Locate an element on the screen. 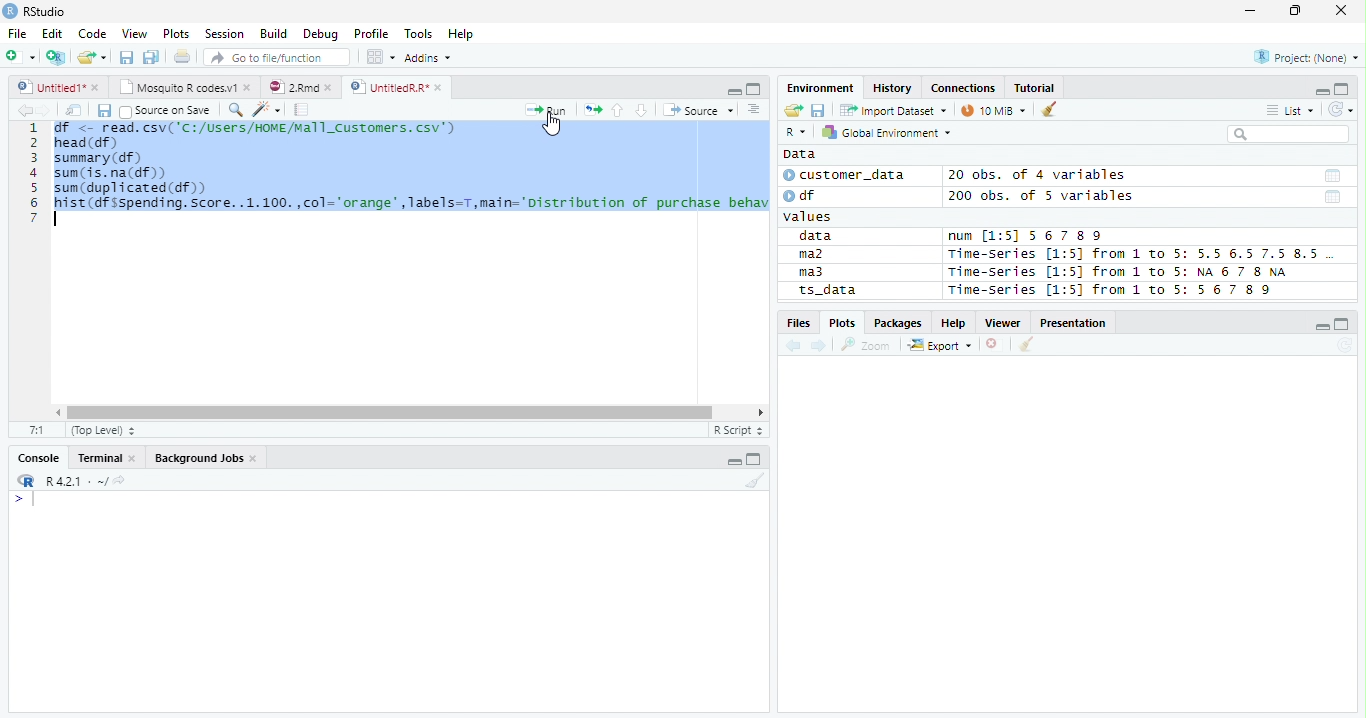 The width and height of the screenshot is (1366, 718). ie. <~ FEAR. CSVL 'CL/ USEFI / NINE /aT LENT InerS. Cov)

ead (df)

summary (df)

sun (is. na(df))

sum(duplicated(df))

hist (df Sspending. Score. .1.100. ,col="orange" , Tabels=T,main="Distribution of purchase behav
| is located at coordinates (413, 176).